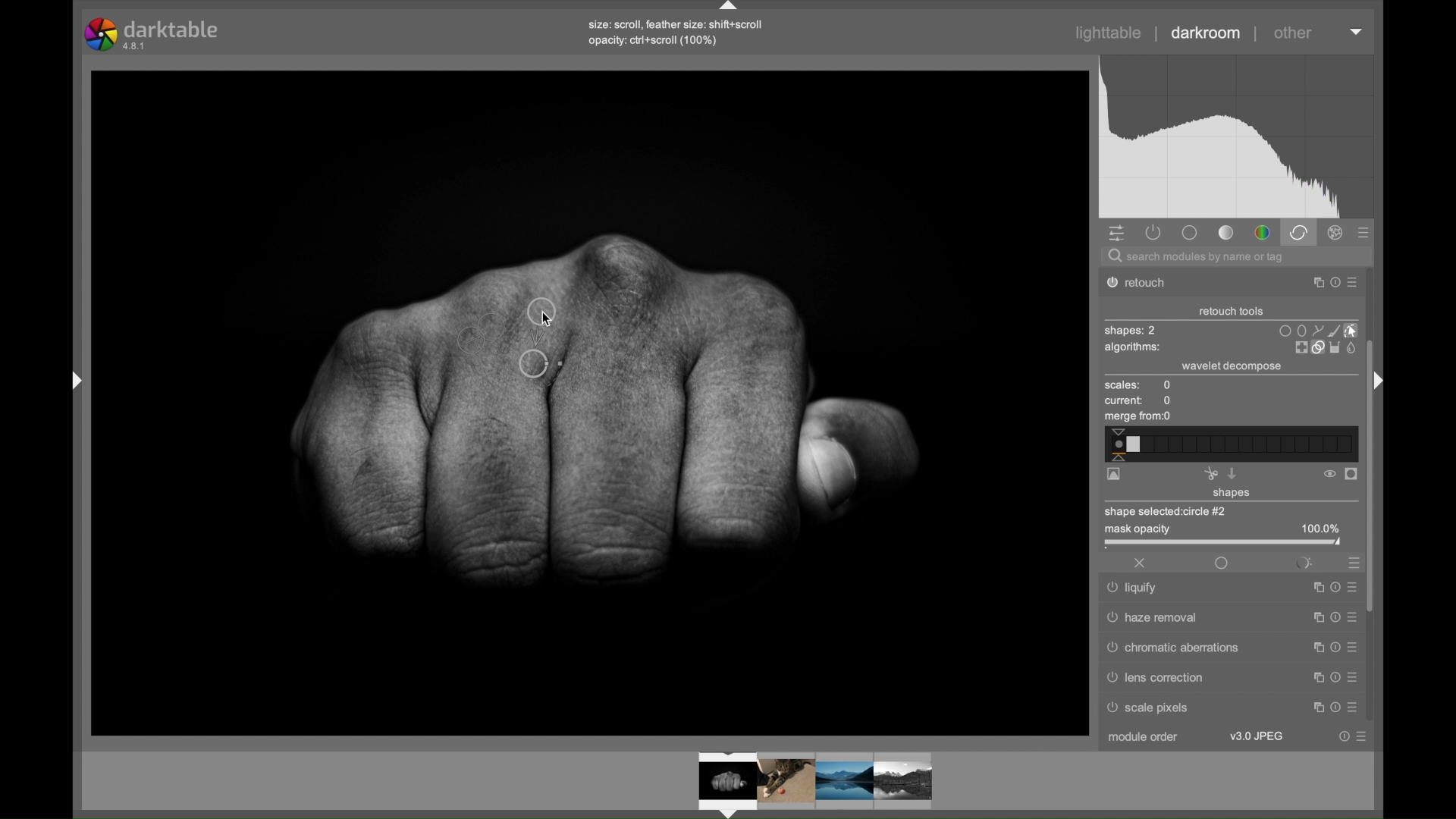 This screenshot has width=1456, height=819. What do you see at coordinates (1361, 736) in the screenshot?
I see `more options` at bounding box center [1361, 736].